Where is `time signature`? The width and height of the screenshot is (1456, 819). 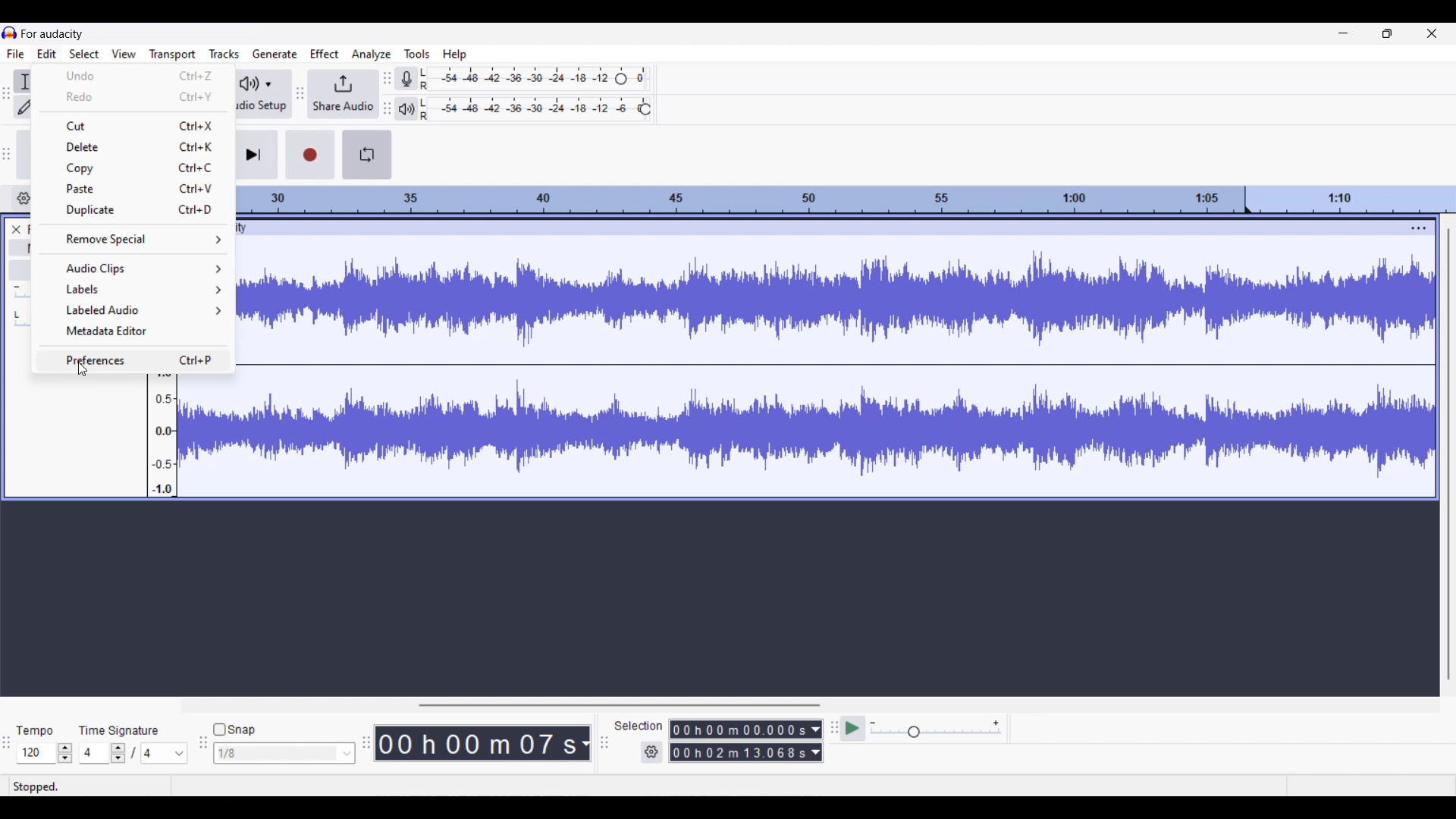
time signature is located at coordinates (120, 730).